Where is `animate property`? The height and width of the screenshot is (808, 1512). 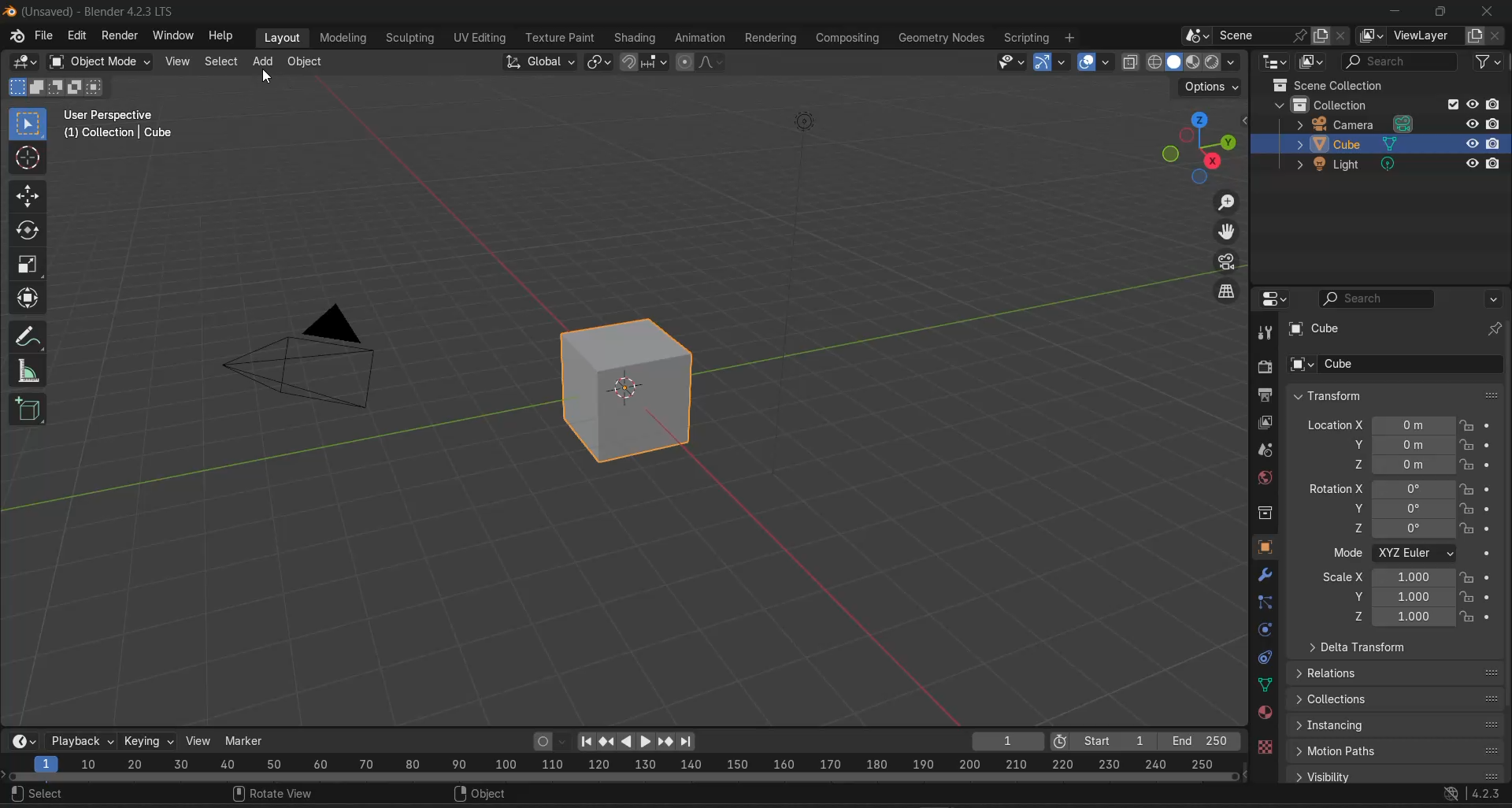 animate property is located at coordinates (1492, 489).